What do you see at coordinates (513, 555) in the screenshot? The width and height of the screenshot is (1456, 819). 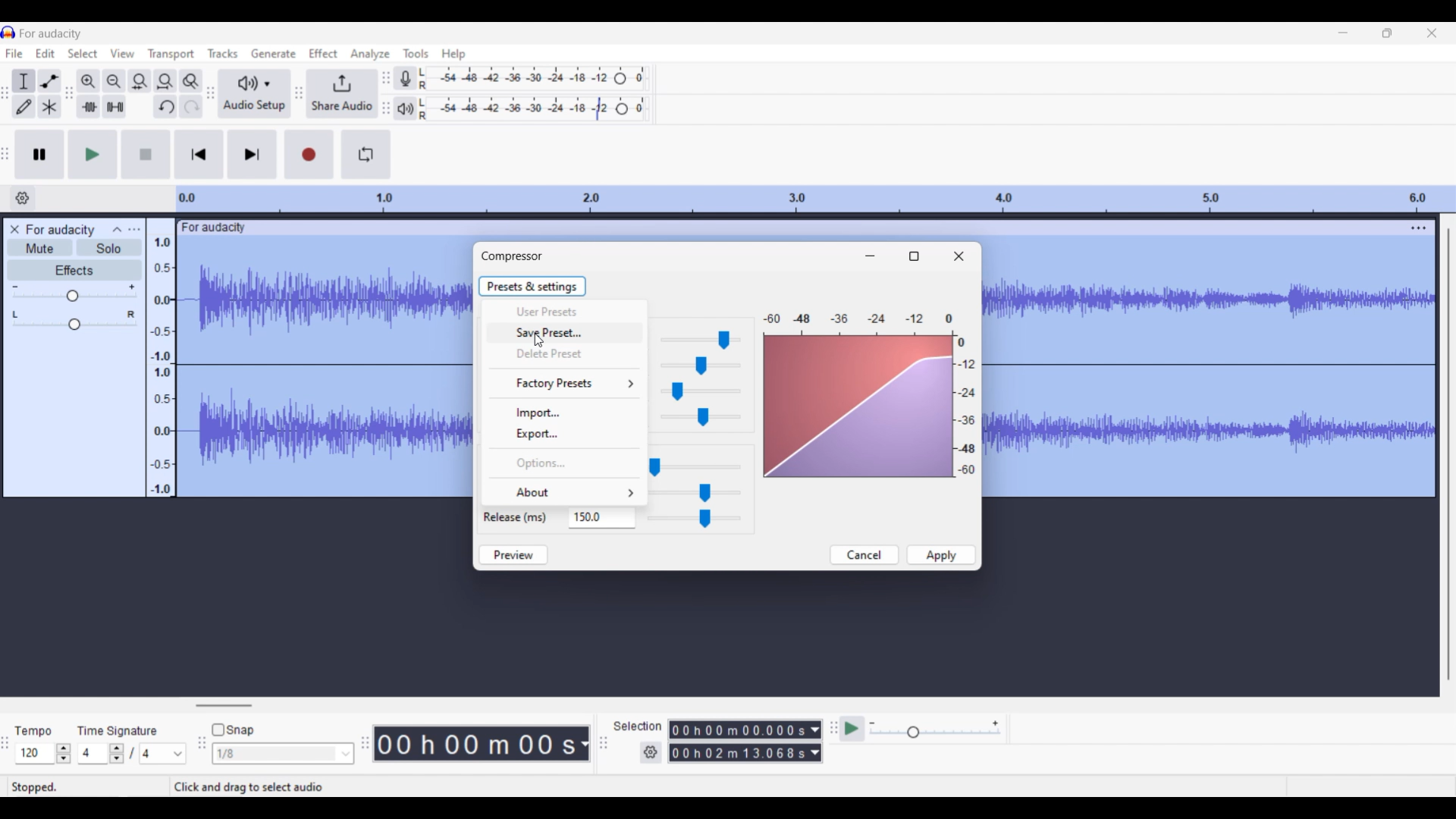 I see `Preview` at bounding box center [513, 555].